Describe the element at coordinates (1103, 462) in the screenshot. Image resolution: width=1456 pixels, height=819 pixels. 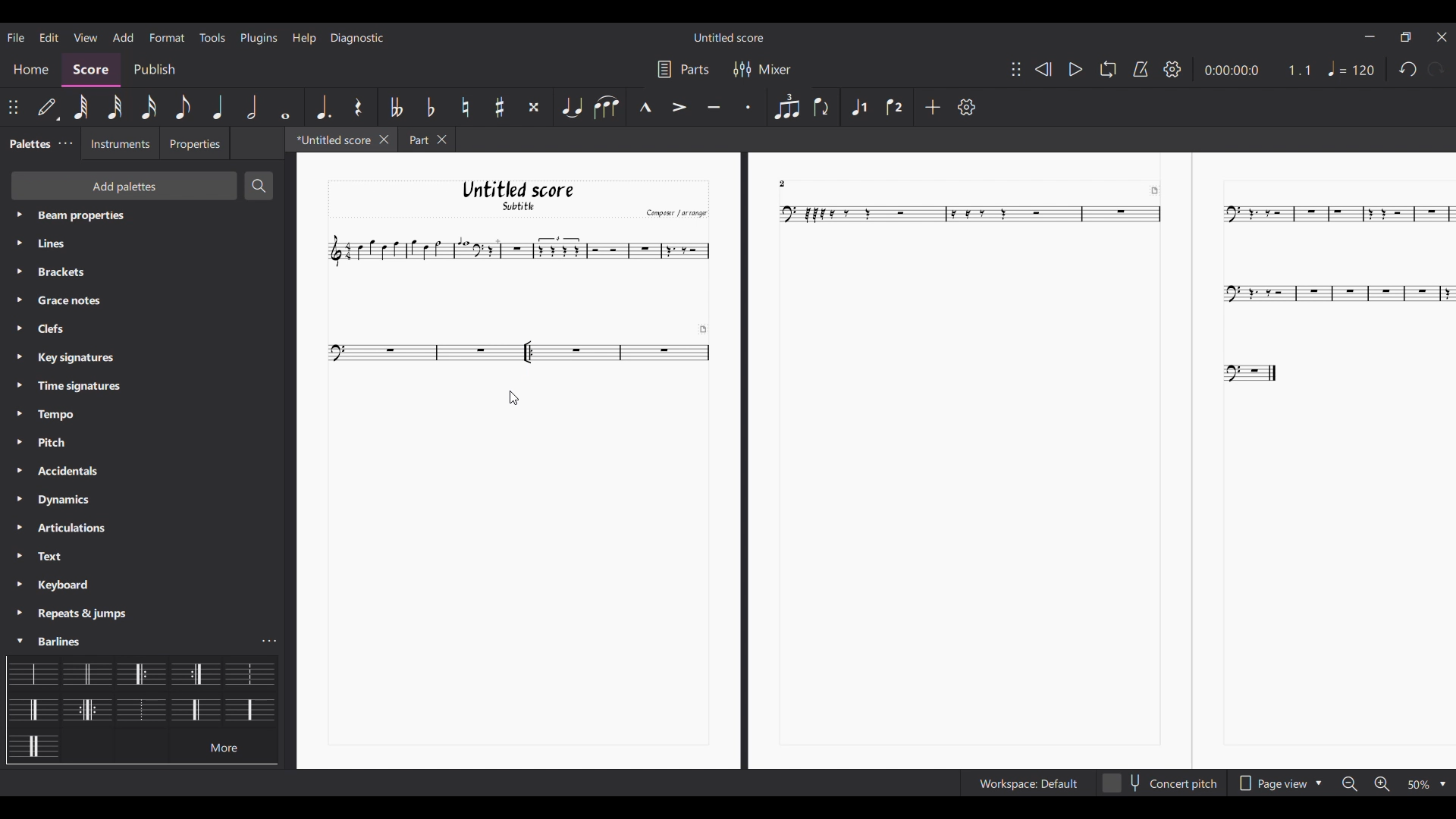
I see `Current score` at that location.